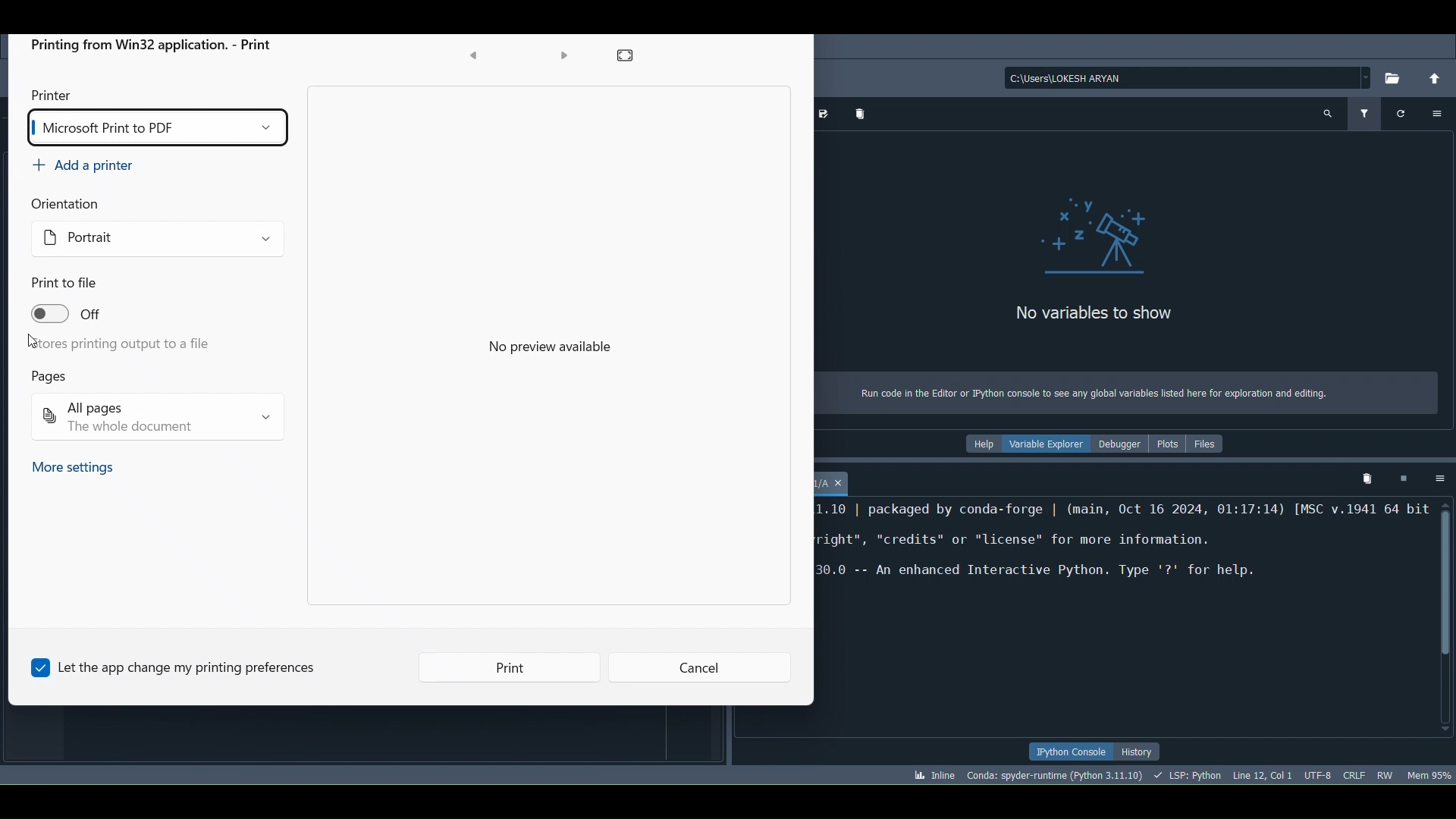 The image size is (1456, 819). Describe the element at coordinates (865, 115) in the screenshot. I see `Remove all variables` at that location.